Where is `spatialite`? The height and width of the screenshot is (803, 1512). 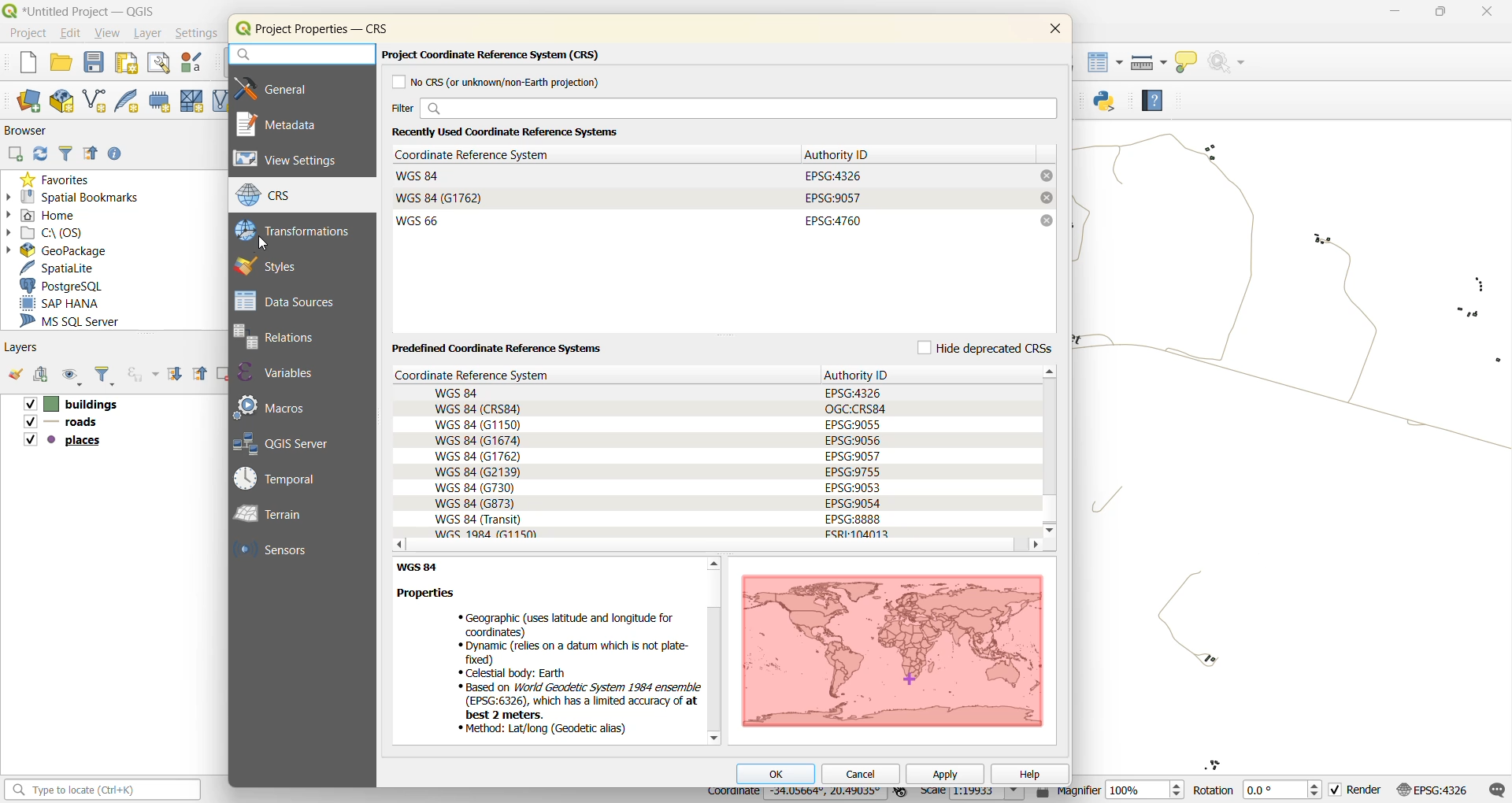 spatialite is located at coordinates (63, 267).